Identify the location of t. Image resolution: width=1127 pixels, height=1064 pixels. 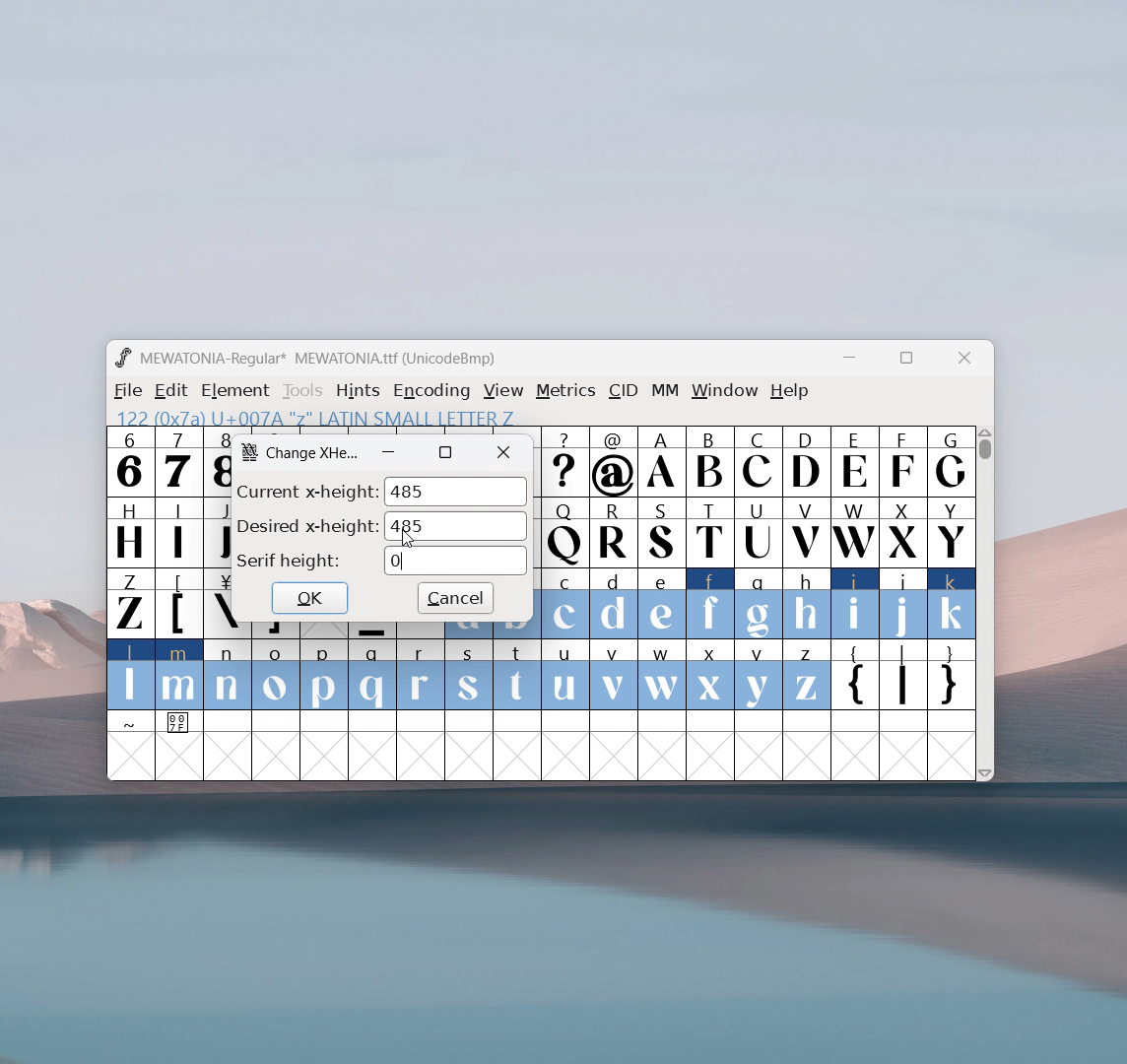
(518, 676).